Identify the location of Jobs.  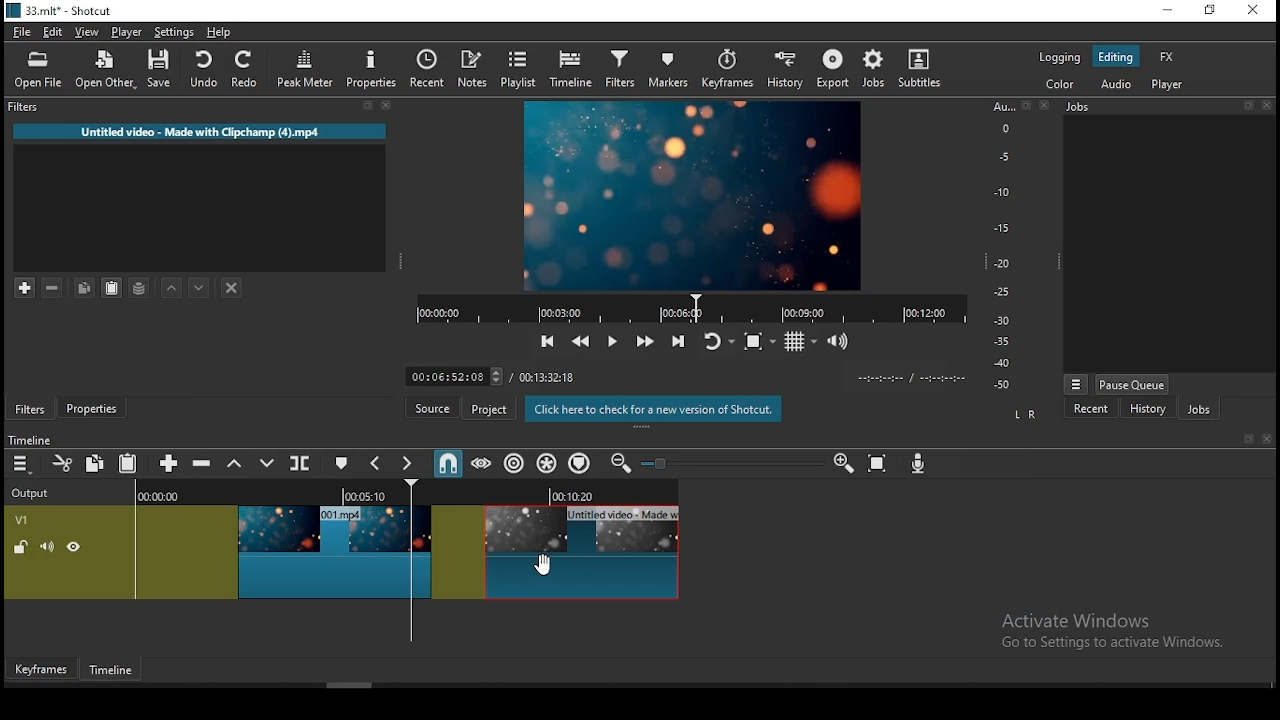
(1171, 108).